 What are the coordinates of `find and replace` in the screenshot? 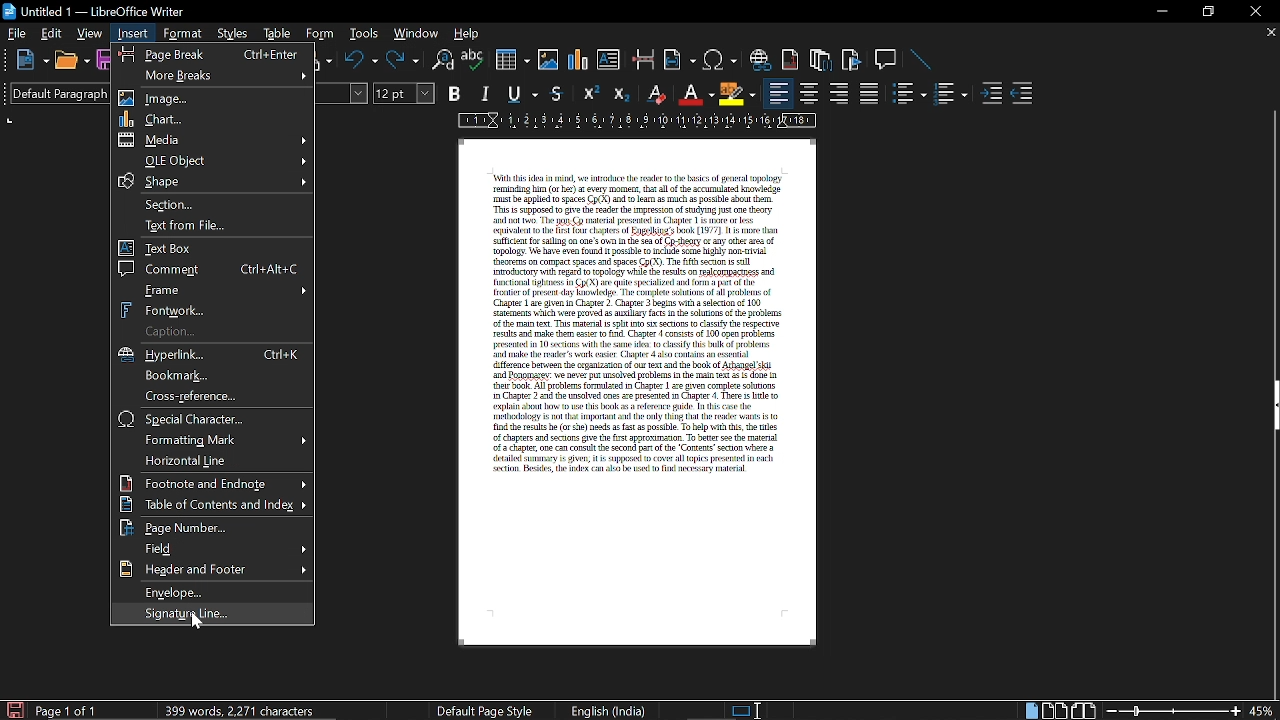 It's located at (443, 60).